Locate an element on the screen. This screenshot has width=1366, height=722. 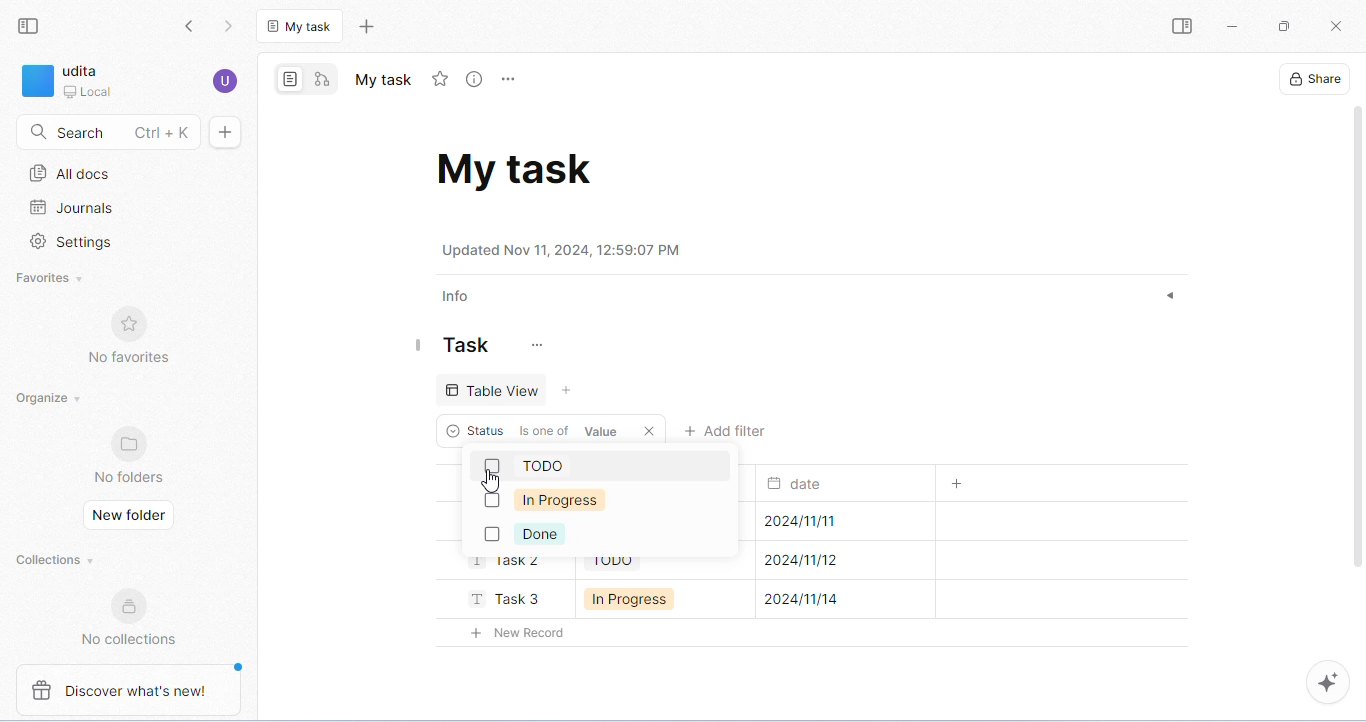
cursor movement is located at coordinates (491, 482).